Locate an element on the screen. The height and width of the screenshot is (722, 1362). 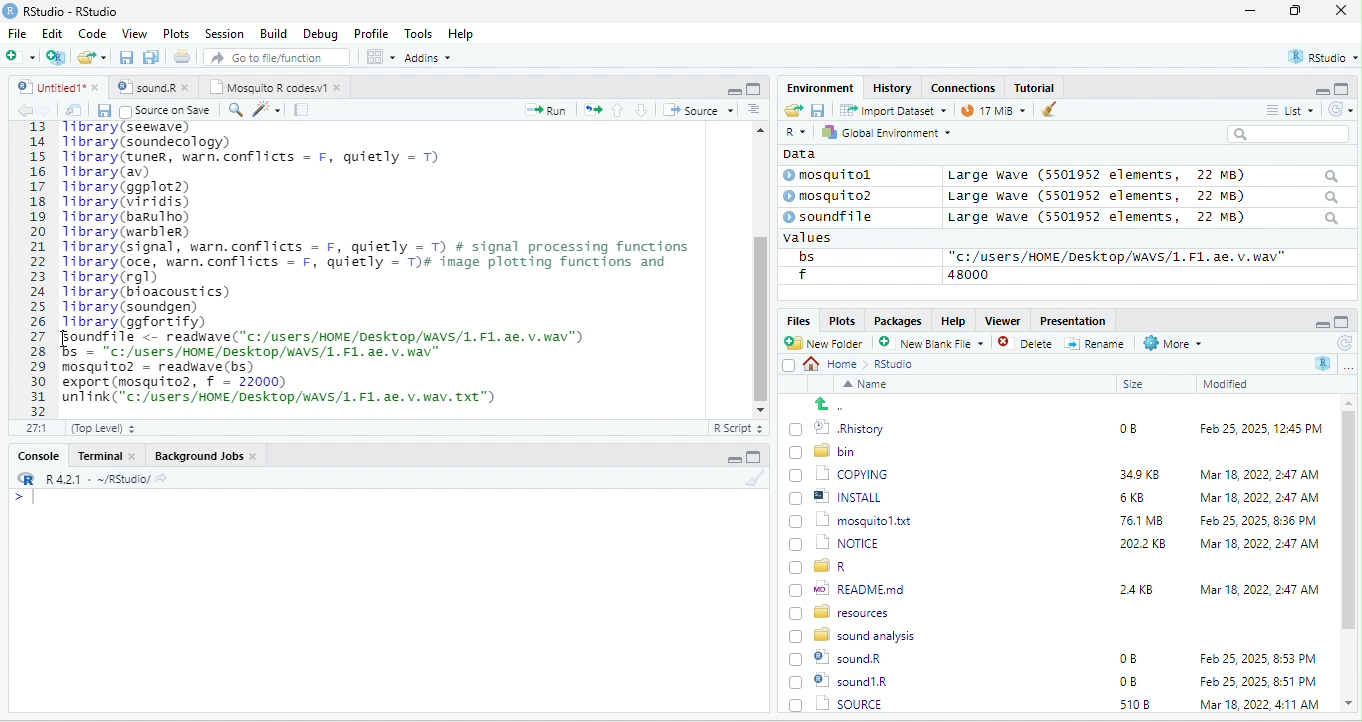
Rstudio is located at coordinates (895, 364).